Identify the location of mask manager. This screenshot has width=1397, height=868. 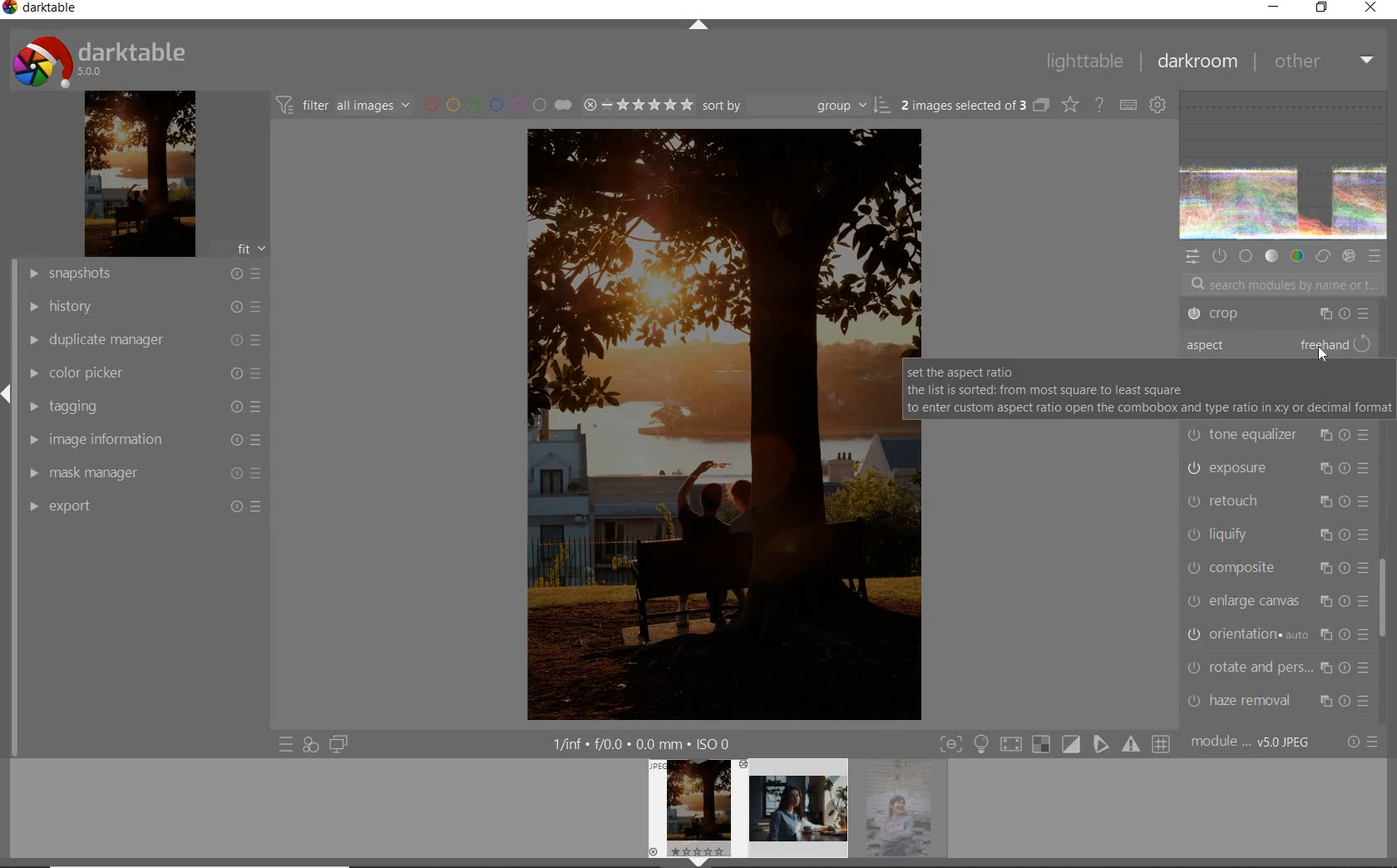
(143, 472).